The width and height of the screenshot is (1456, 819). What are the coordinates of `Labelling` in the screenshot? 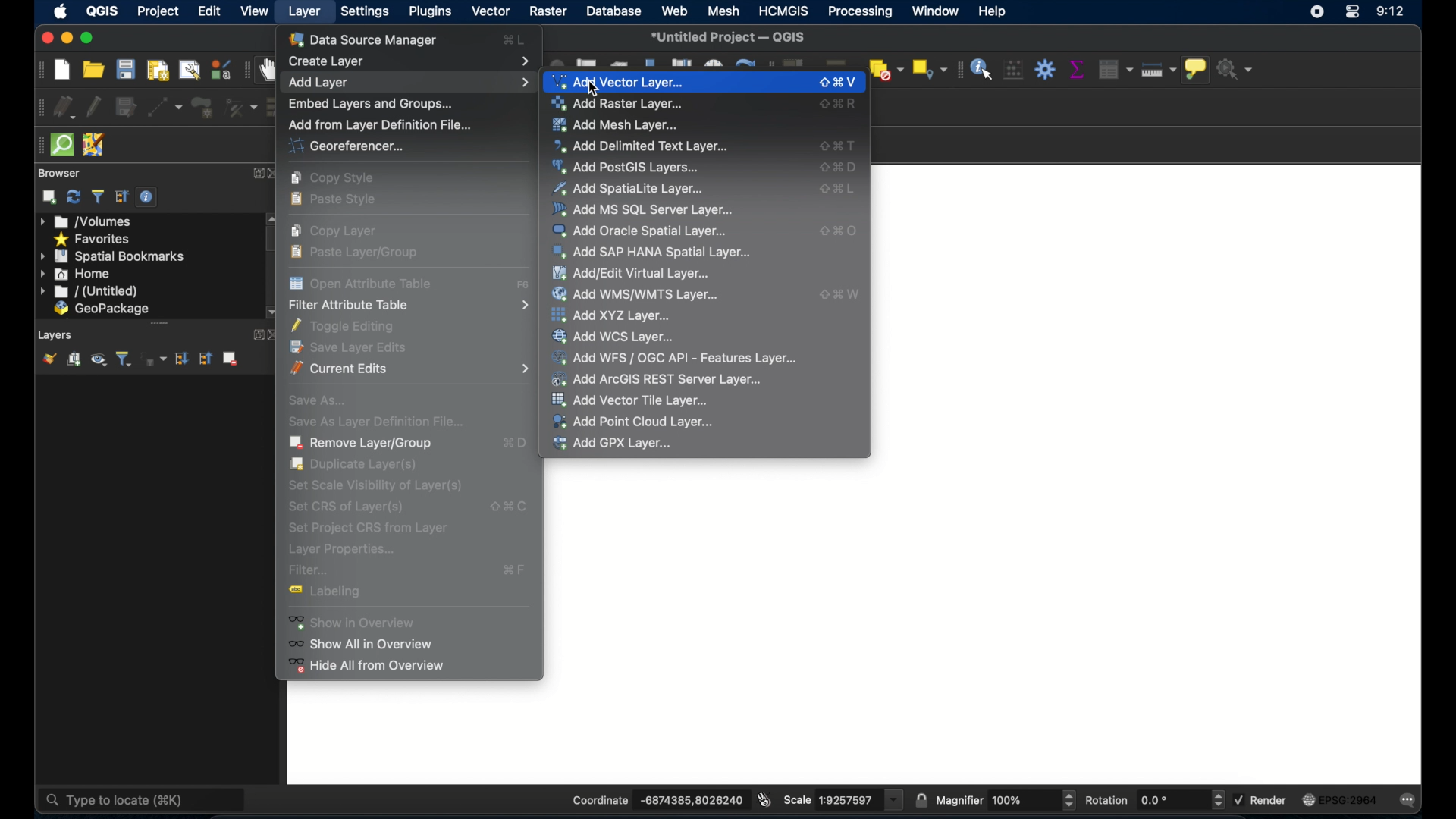 It's located at (340, 595).